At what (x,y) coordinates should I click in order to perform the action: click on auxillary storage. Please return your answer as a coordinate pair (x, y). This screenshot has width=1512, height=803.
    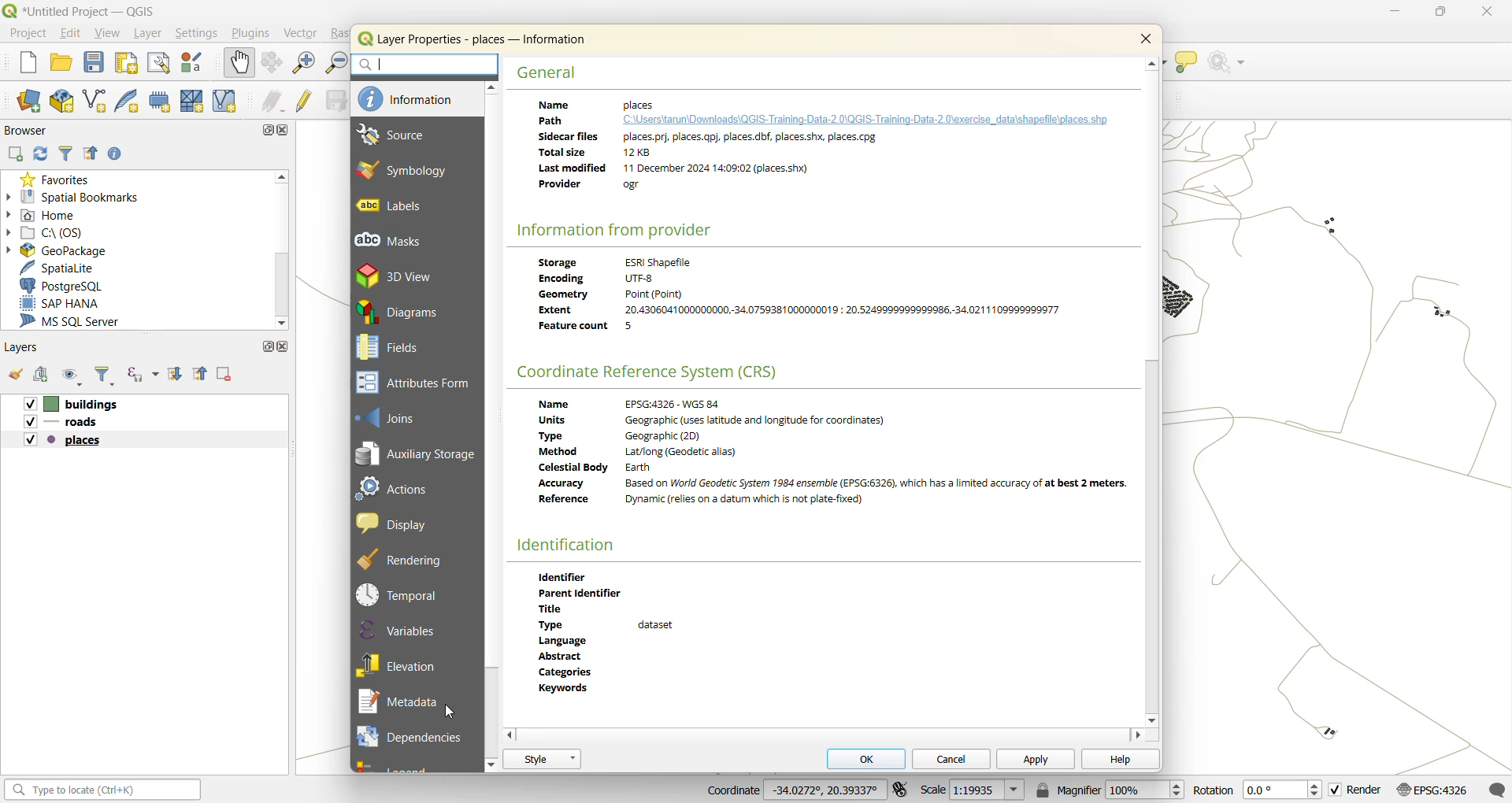
    Looking at the image, I should click on (416, 455).